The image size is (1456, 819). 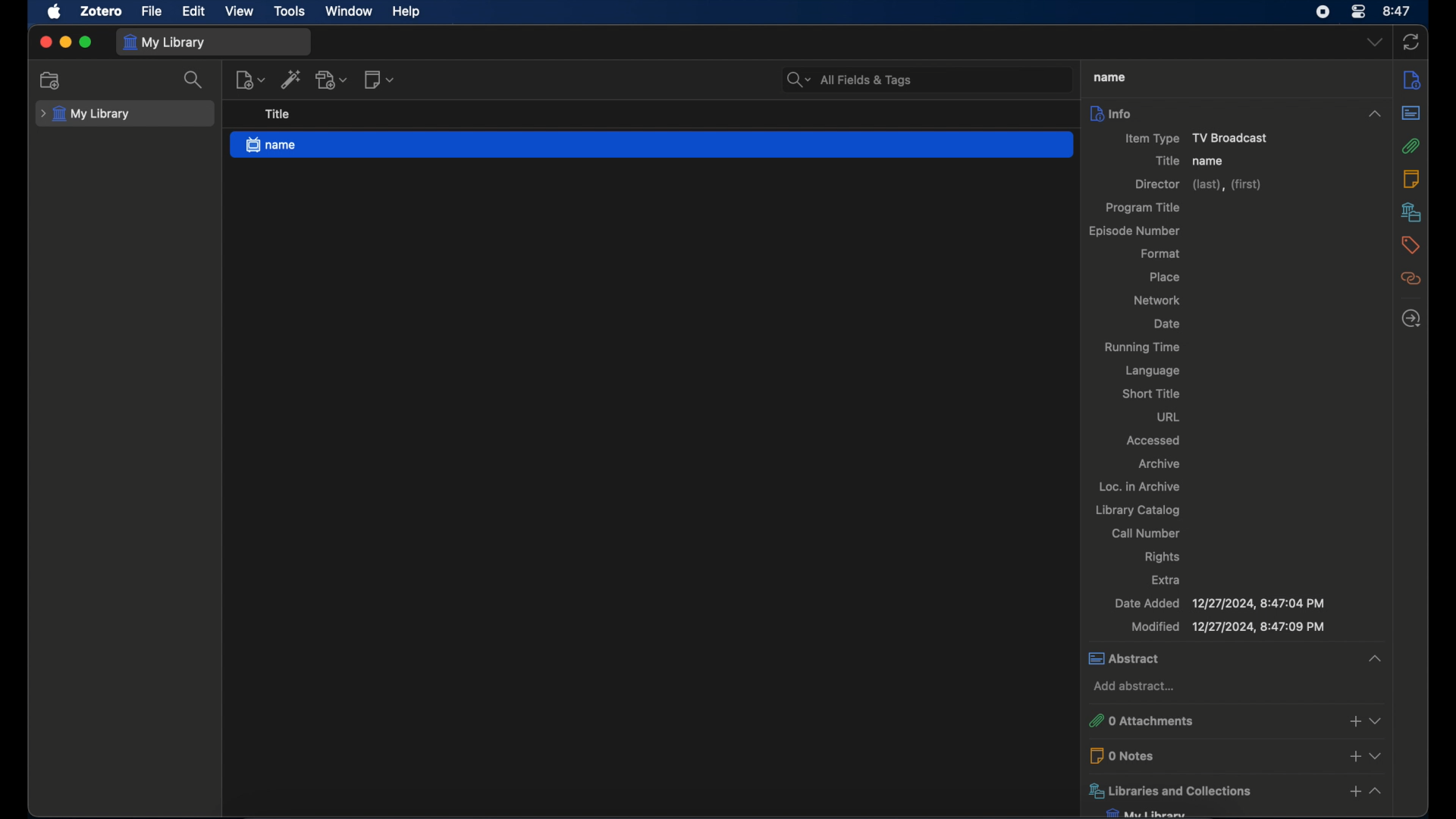 I want to click on my library, so click(x=86, y=115).